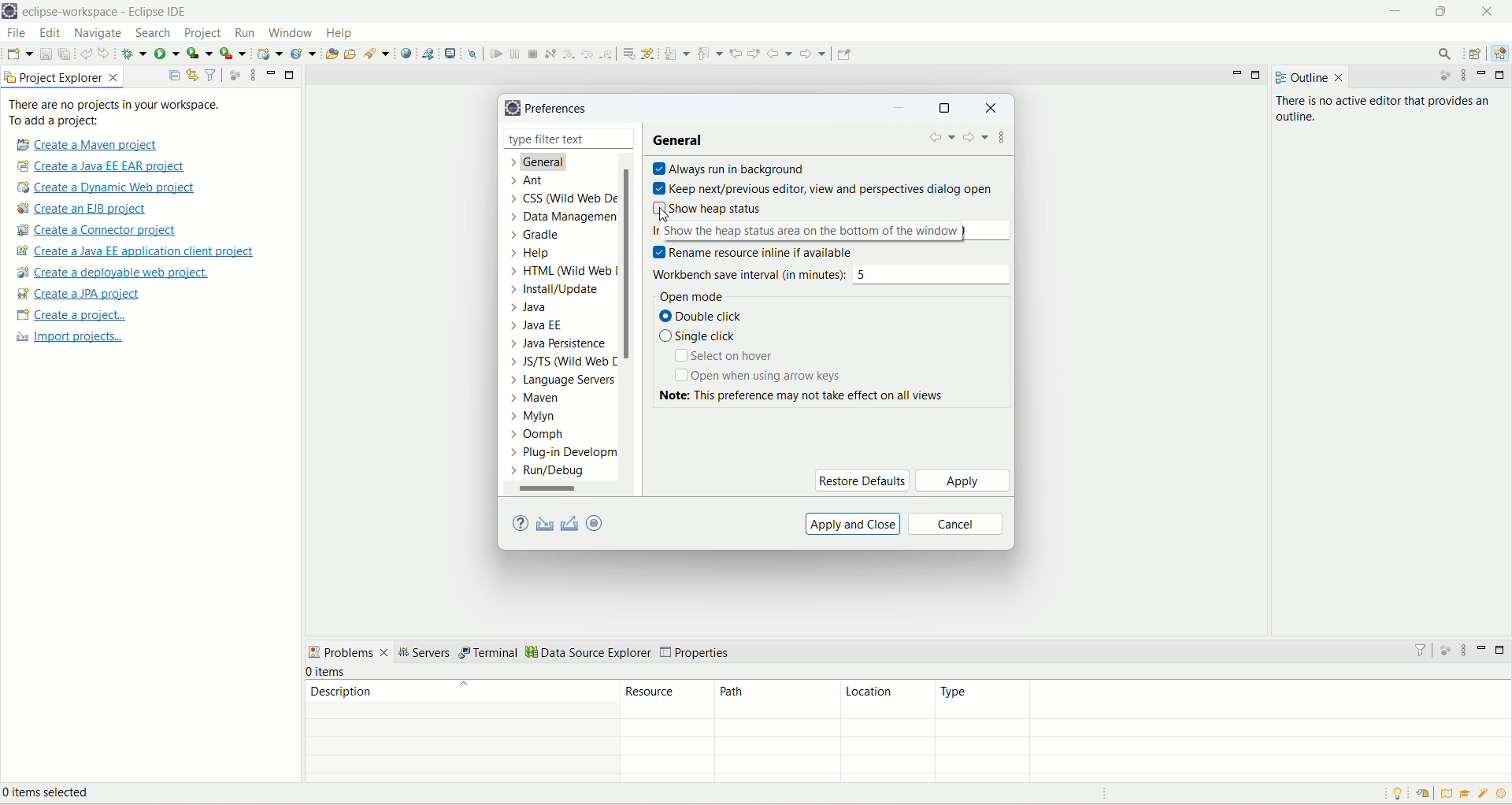 This screenshot has height=805, width=1512. I want to click on location, so click(885, 700).